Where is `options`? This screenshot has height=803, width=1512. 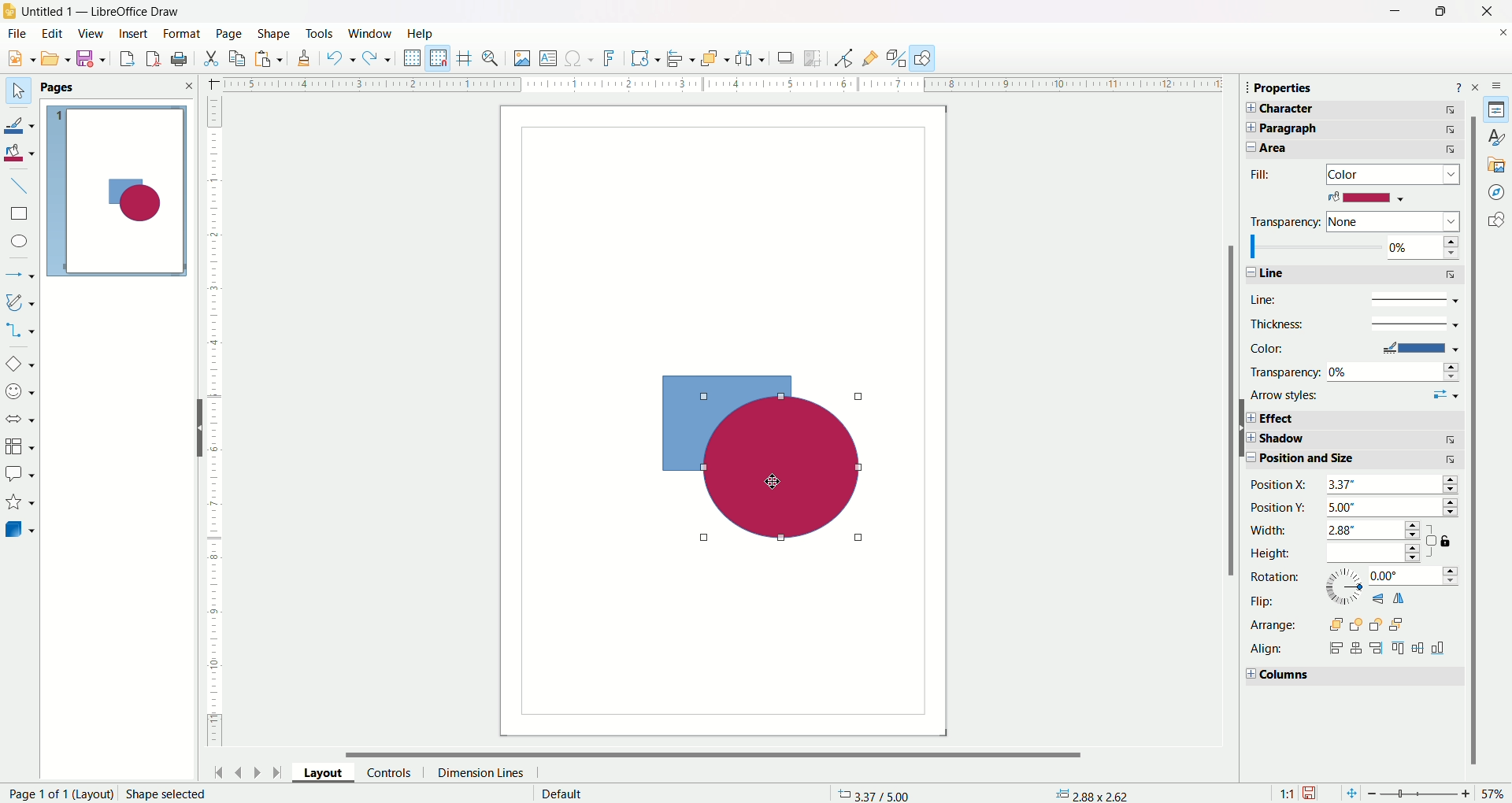
options is located at coordinates (1499, 83).